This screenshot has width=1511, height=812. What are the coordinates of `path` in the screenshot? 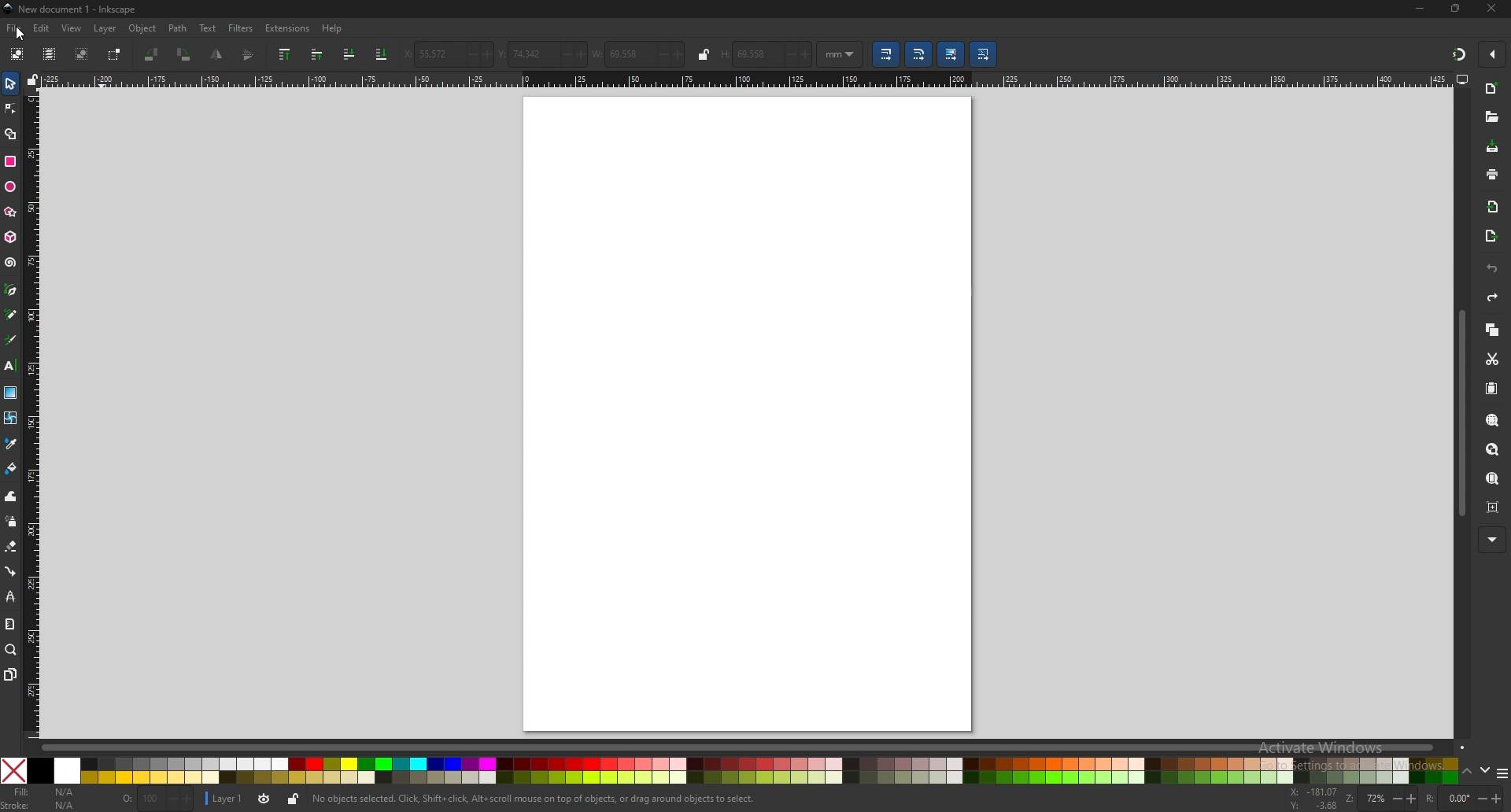 It's located at (176, 29).